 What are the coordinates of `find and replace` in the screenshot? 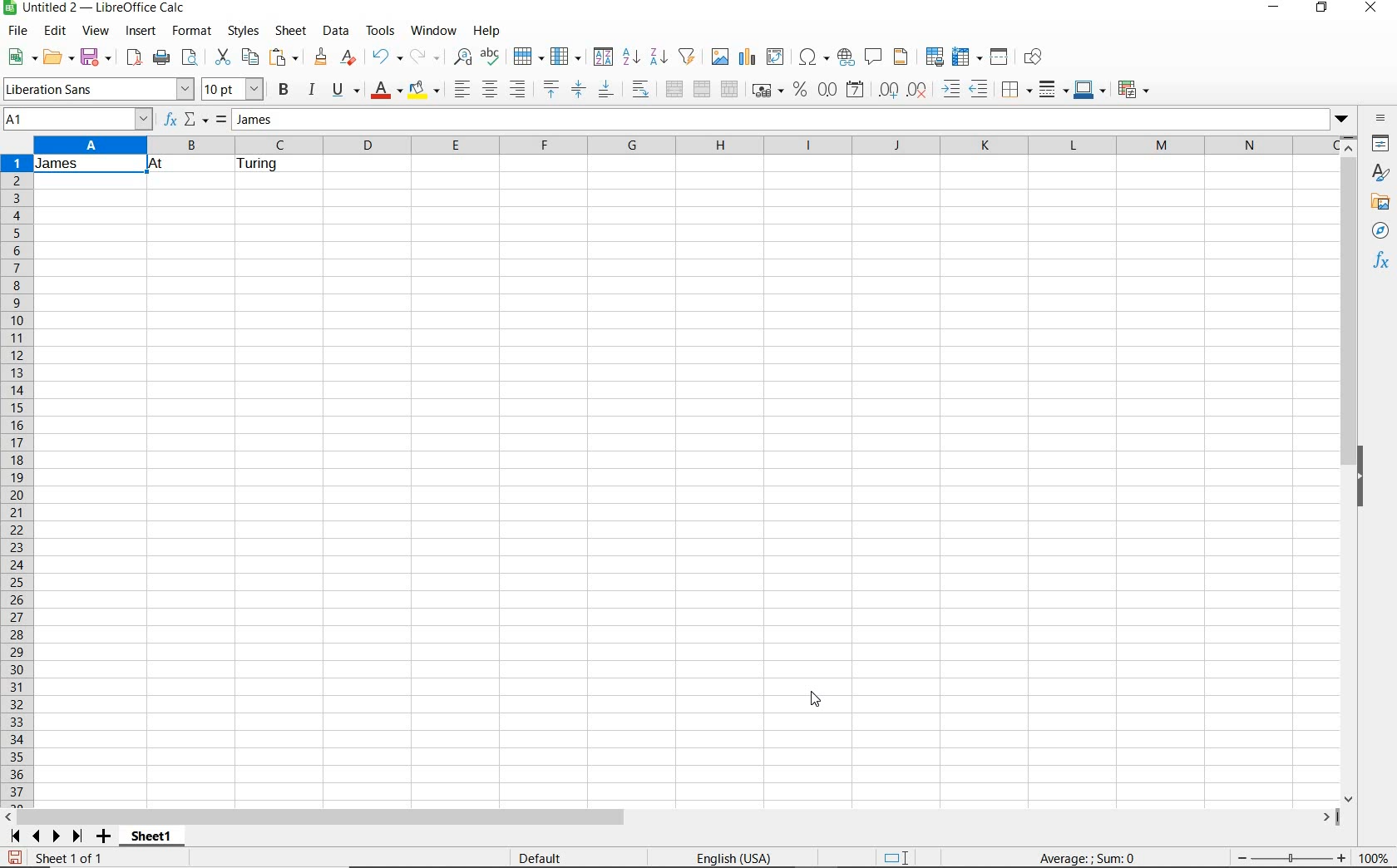 It's located at (464, 57).